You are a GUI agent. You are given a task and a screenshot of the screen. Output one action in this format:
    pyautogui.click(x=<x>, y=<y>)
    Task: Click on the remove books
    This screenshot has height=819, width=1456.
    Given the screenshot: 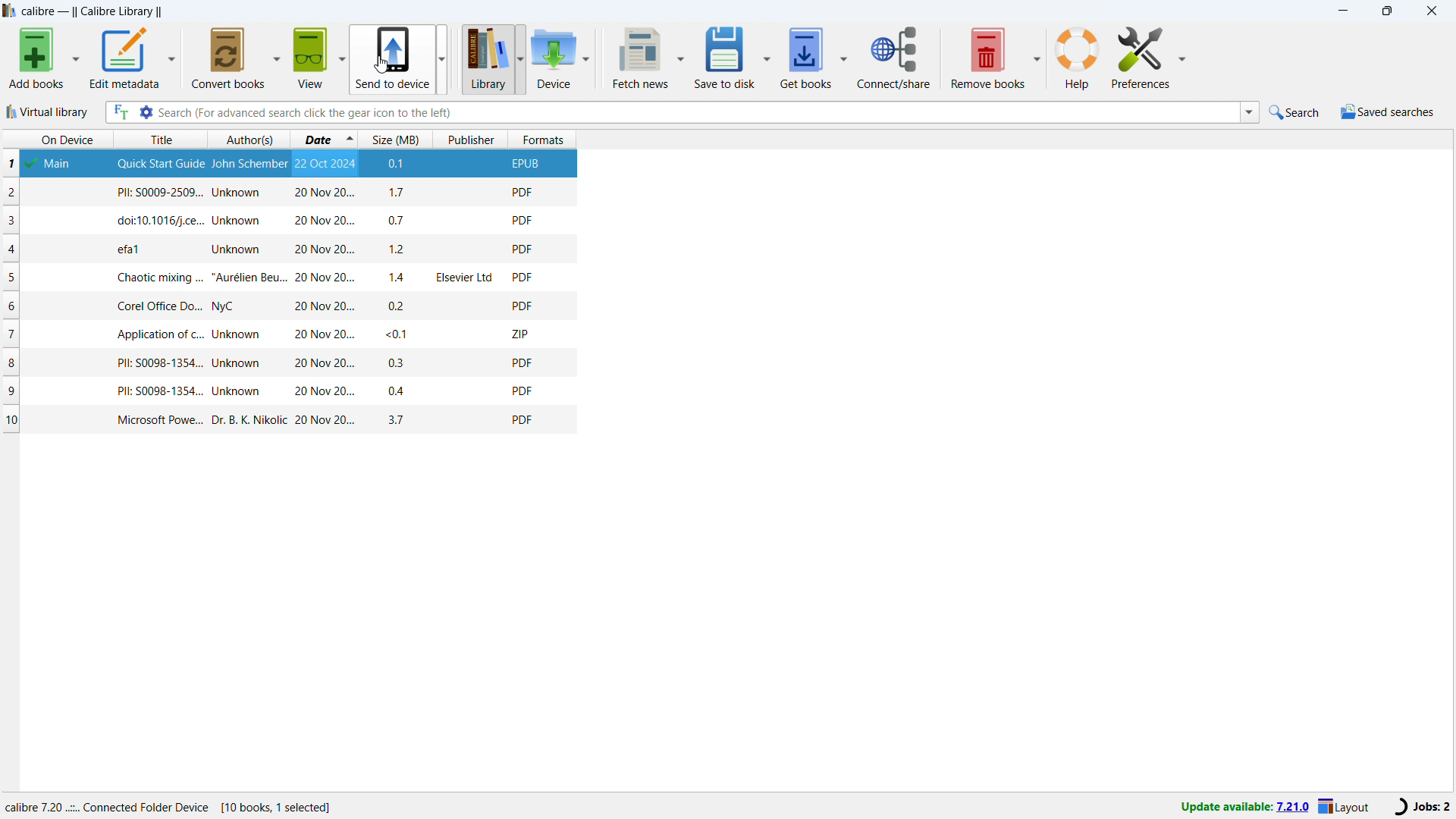 What is the action you would take?
    pyautogui.click(x=988, y=58)
    